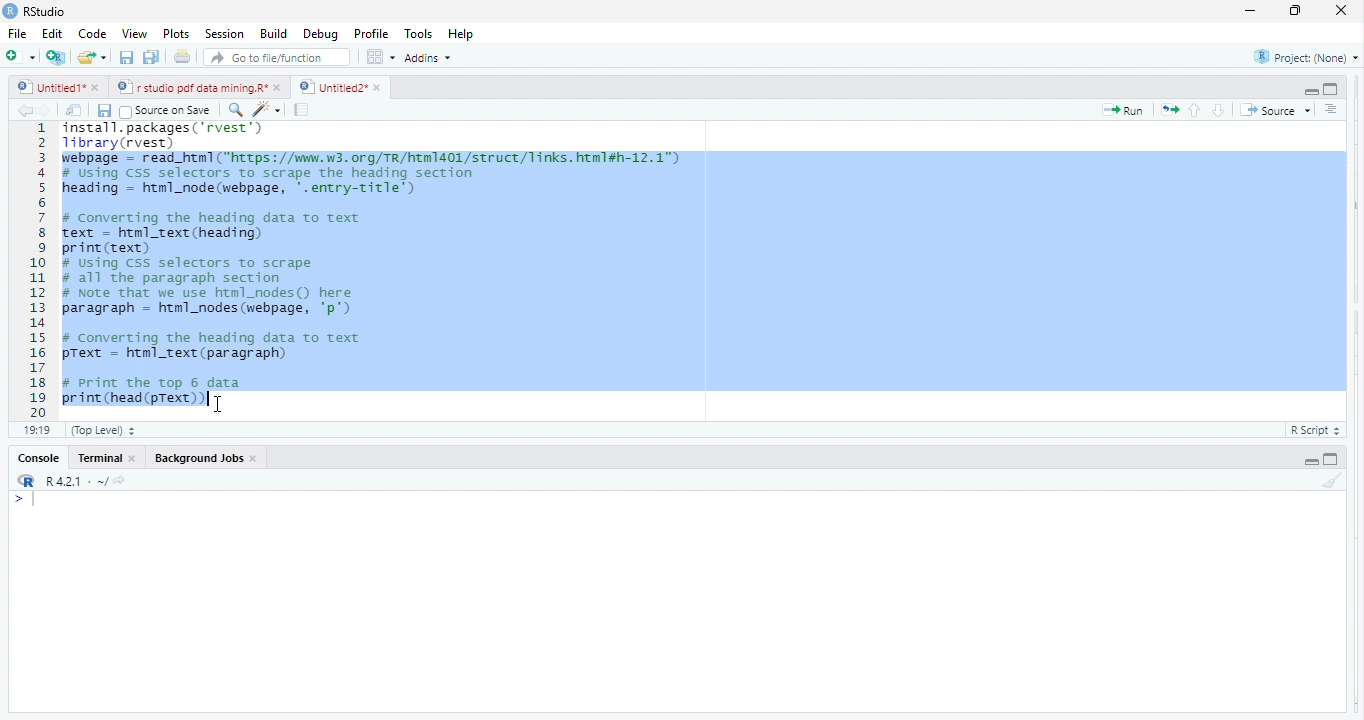  I want to click on 1
2
3
a
5
6
7
H
9
10
11
12
13
14
15
16
17
18
19
20, so click(38, 269).